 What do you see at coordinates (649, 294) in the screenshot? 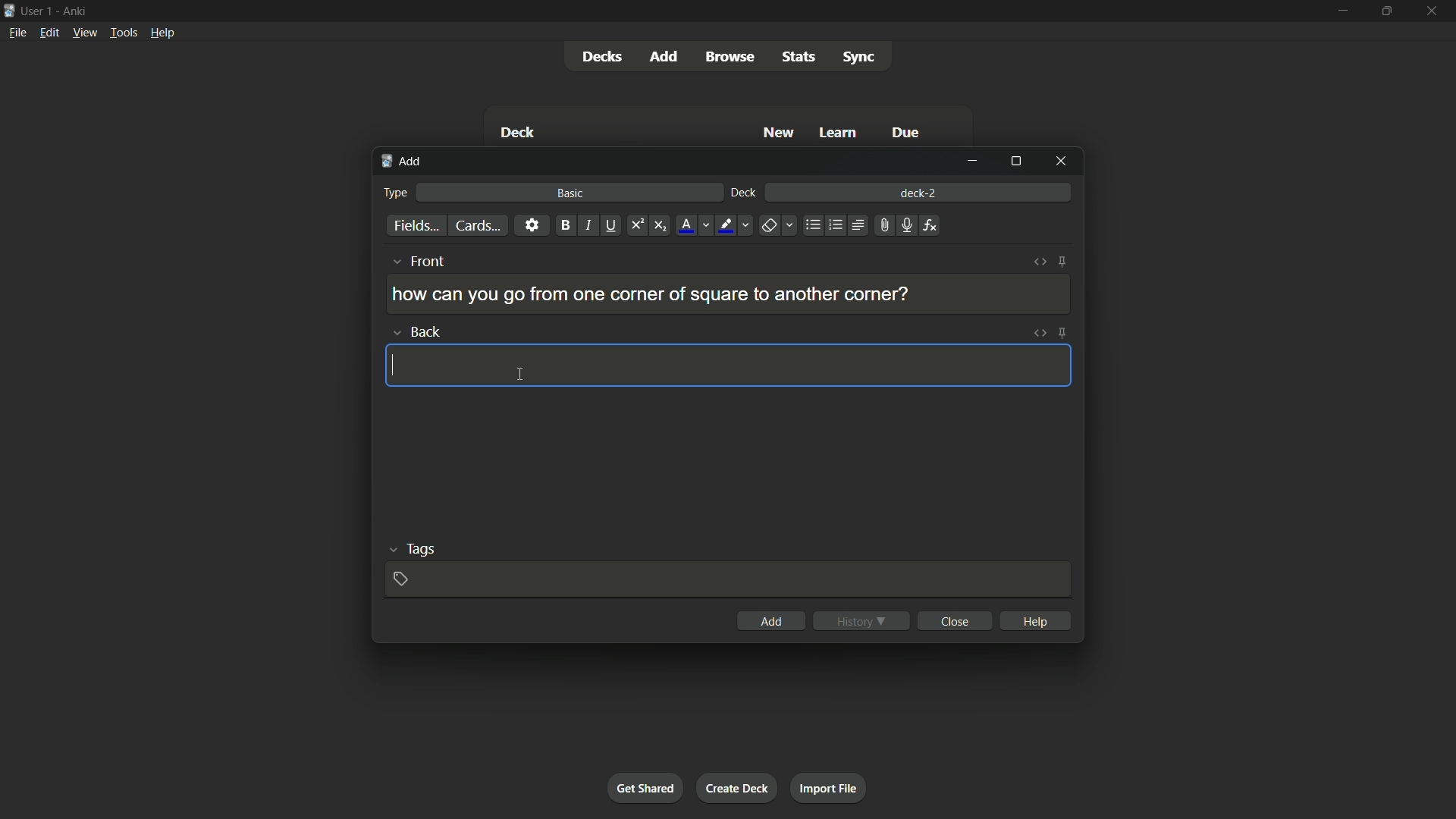
I see `how can you go from one corner of square to another corner?` at bounding box center [649, 294].